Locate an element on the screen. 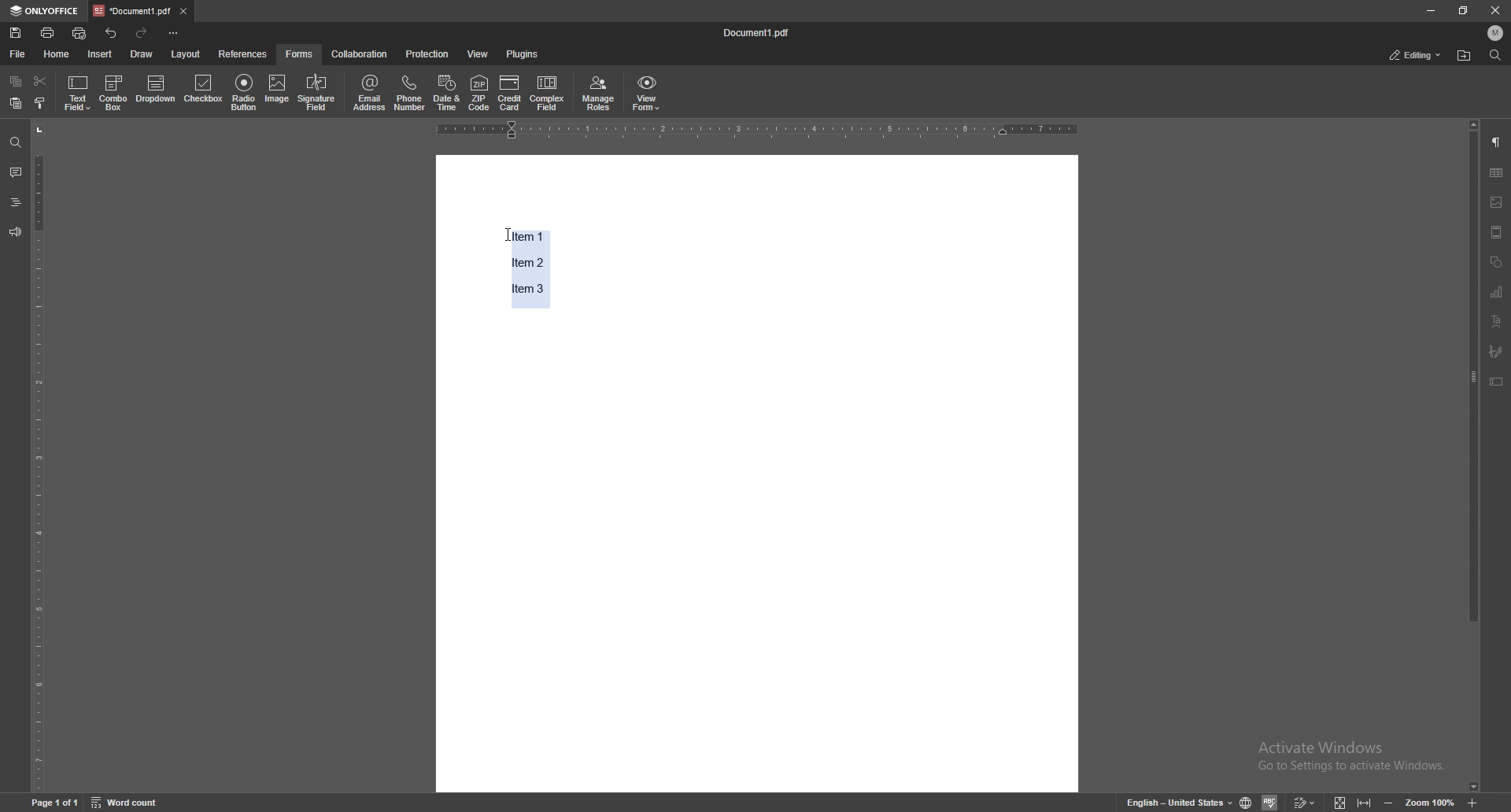 This screenshot has height=812, width=1511. signature field is located at coordinates (1496, 351).